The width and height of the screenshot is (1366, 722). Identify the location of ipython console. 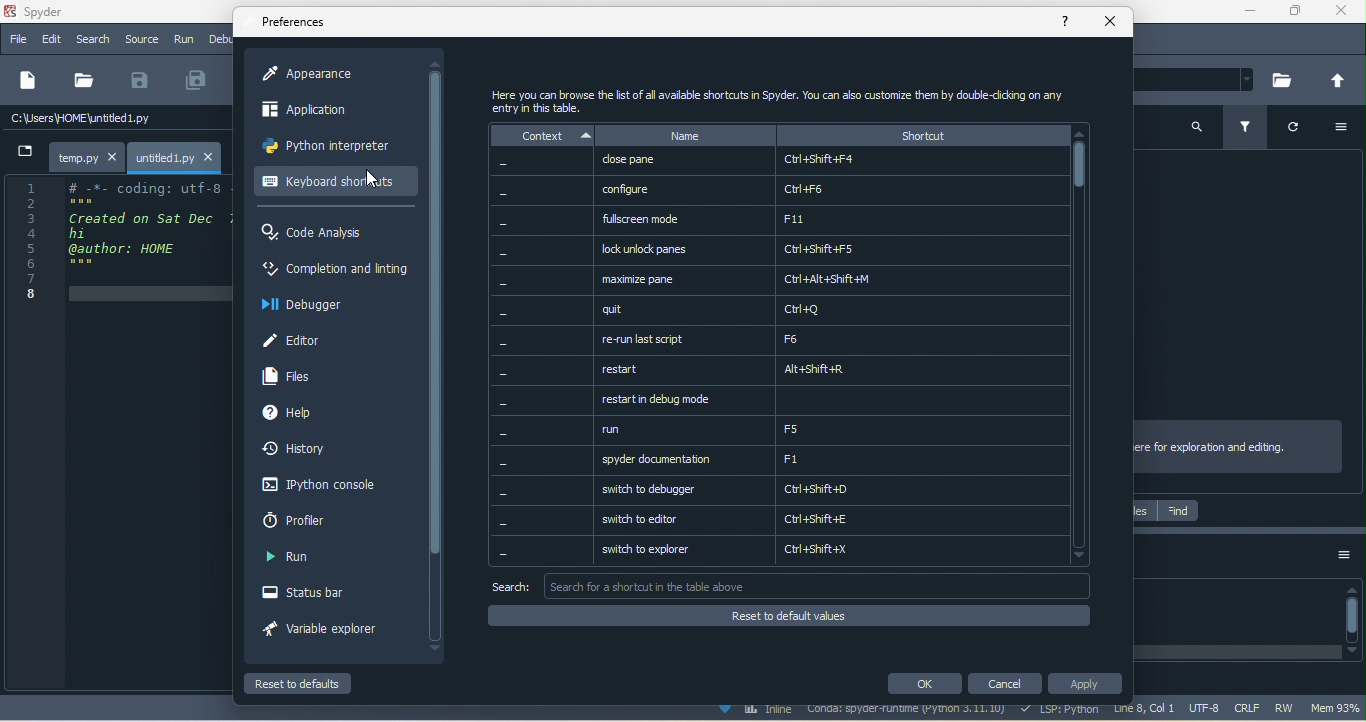
(322, 485).